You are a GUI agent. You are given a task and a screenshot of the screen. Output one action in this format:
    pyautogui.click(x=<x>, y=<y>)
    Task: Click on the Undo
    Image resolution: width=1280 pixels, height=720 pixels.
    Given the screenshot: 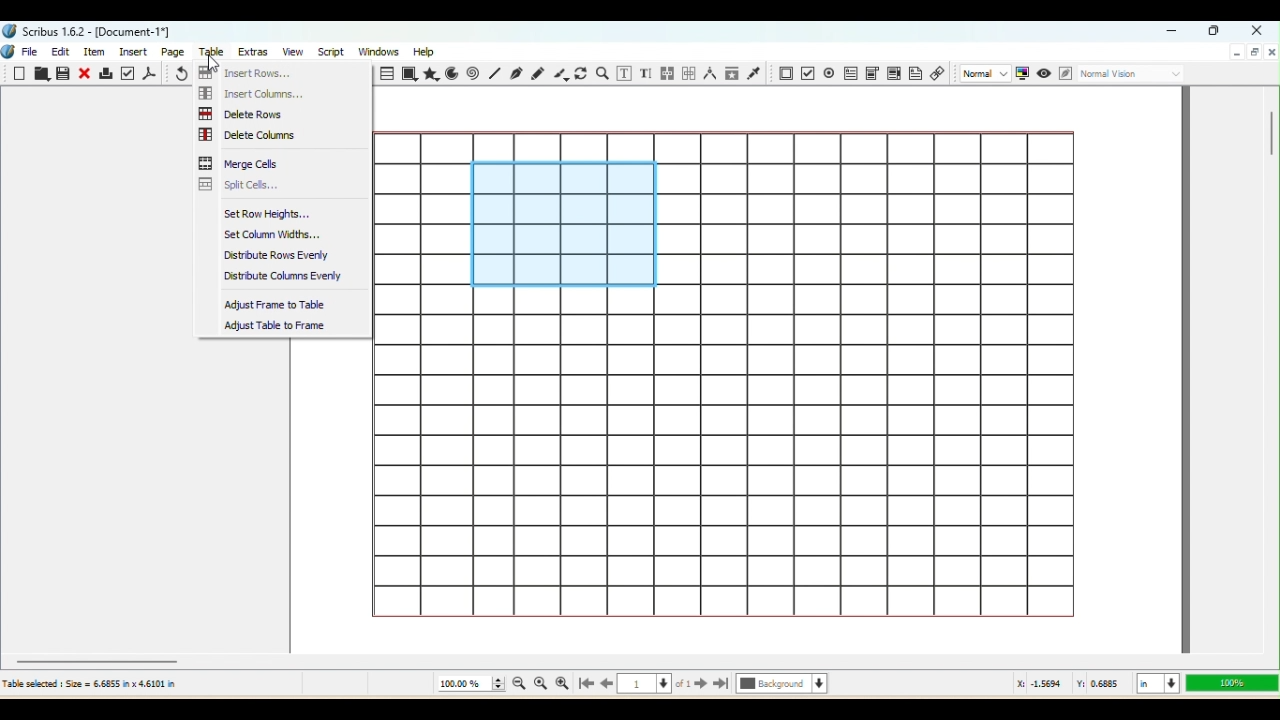 What is the action you would take?
    pyautogui.click(x=179, y=74)
    